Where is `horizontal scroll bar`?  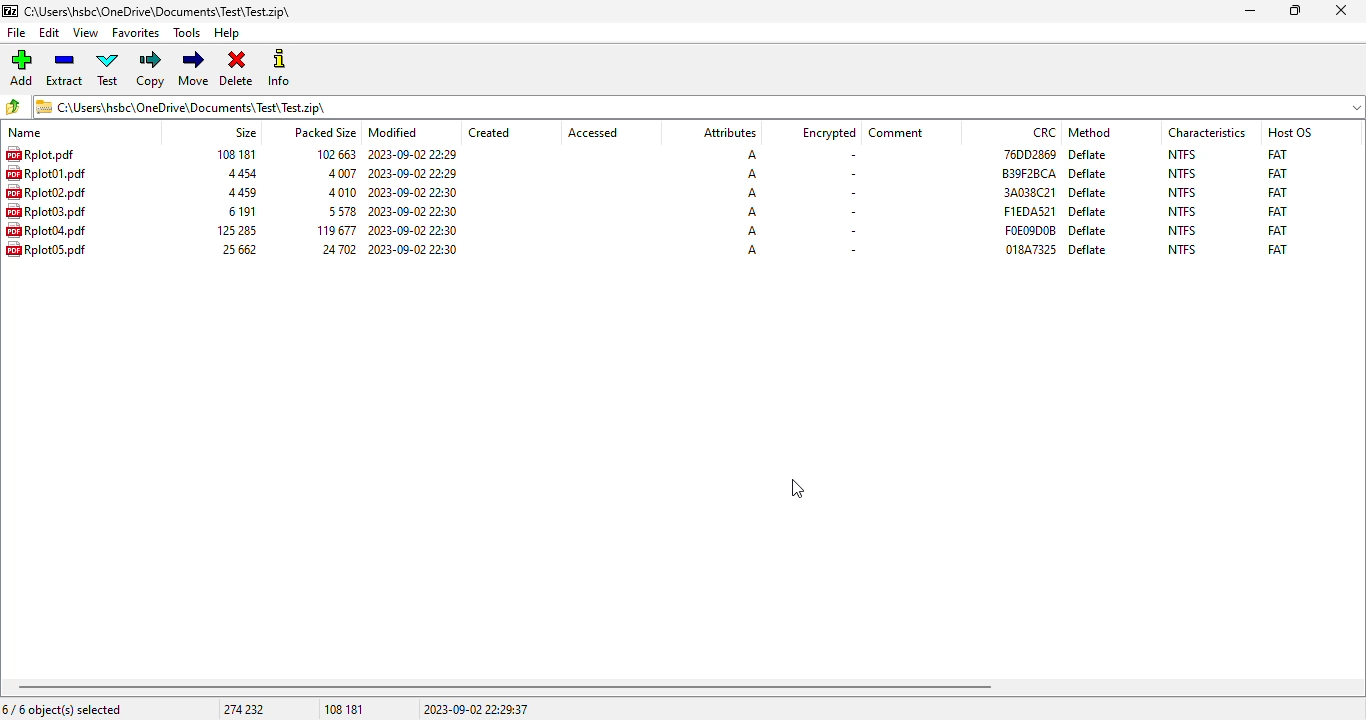
horizontal scroll bar is located at coordinates (505, 687).